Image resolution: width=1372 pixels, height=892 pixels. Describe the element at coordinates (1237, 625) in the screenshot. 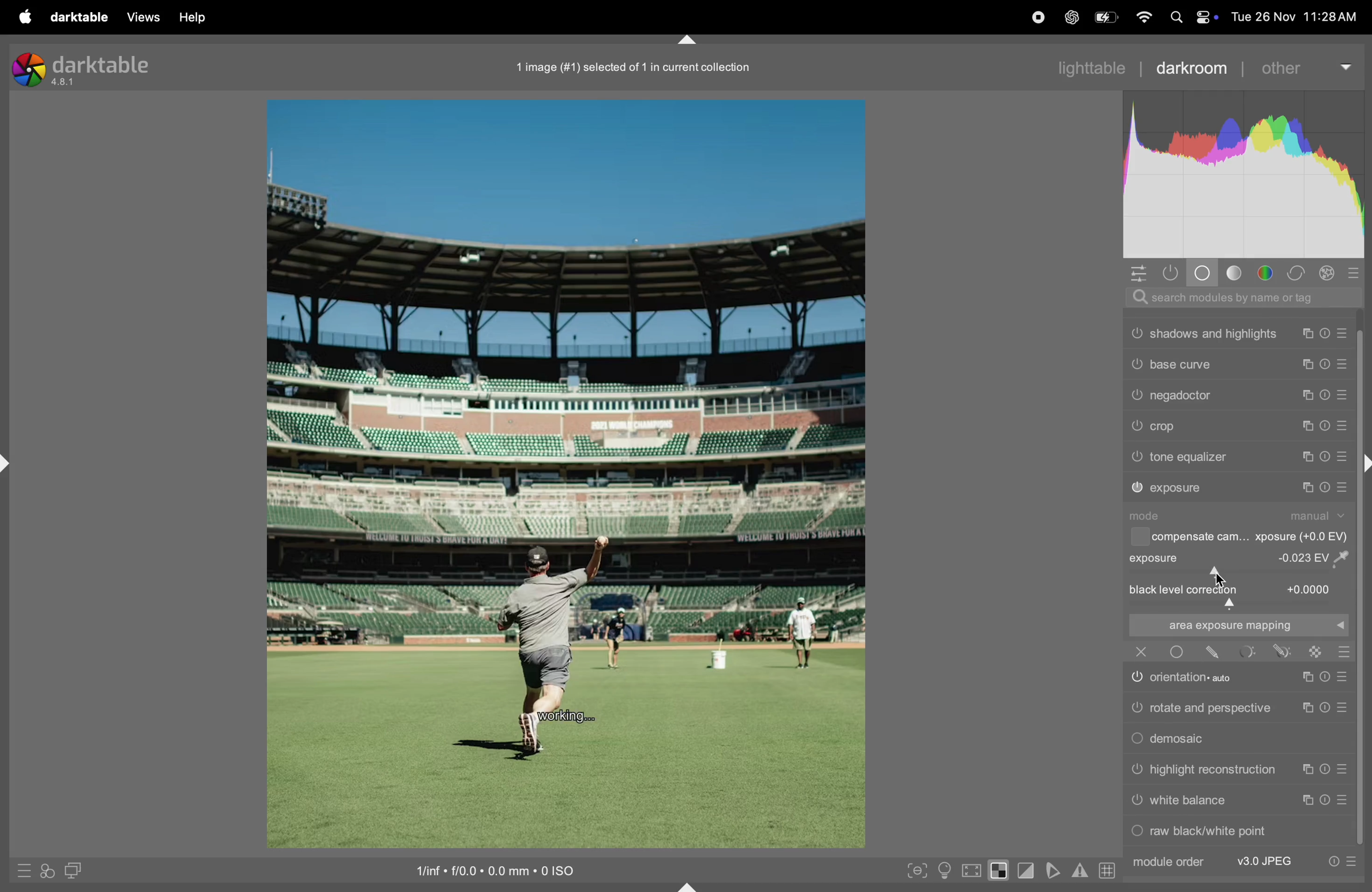

I see `area exposure mapping` at that location.